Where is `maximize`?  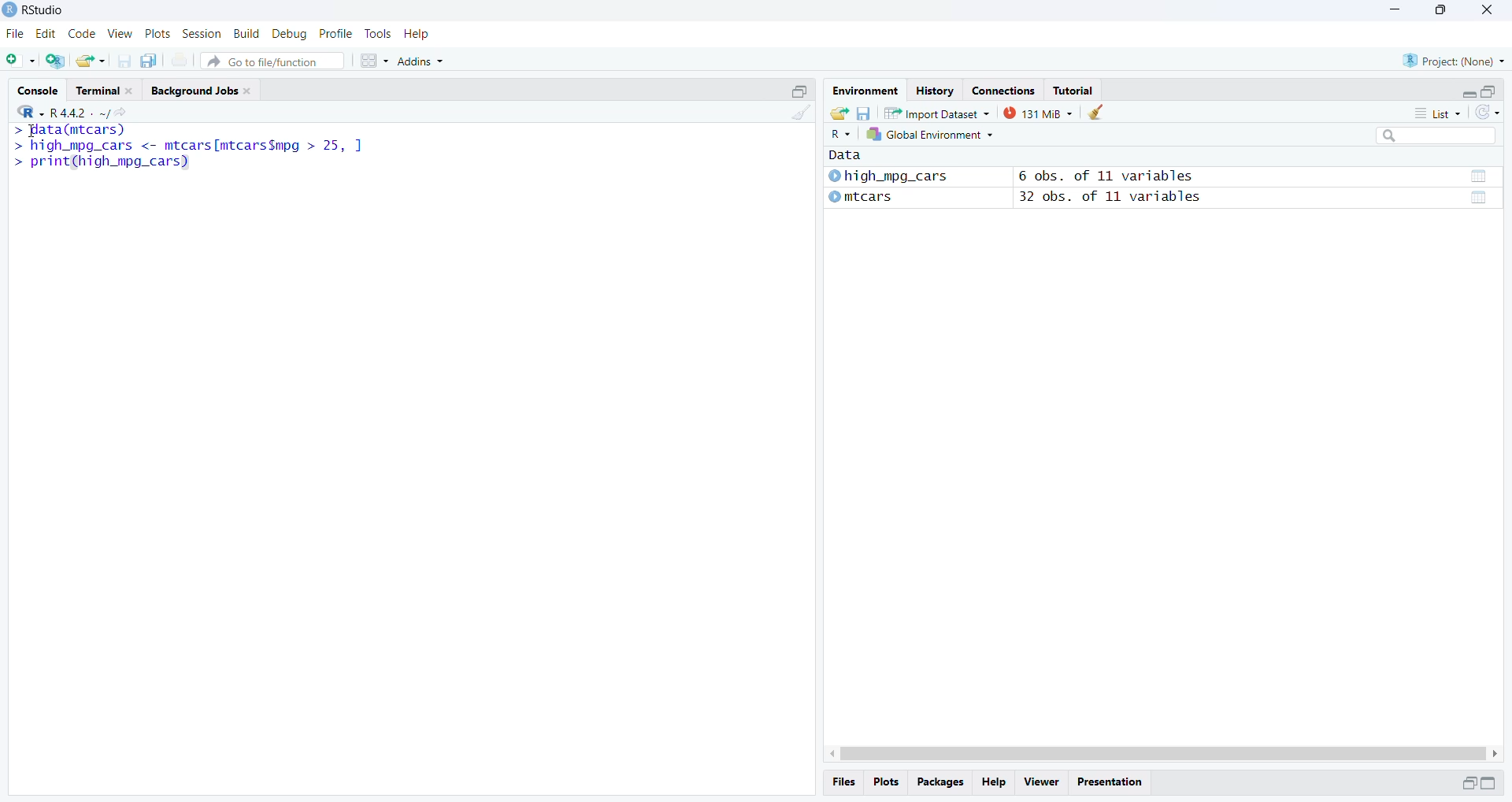 maximize is located at coordinates (1489, 92).